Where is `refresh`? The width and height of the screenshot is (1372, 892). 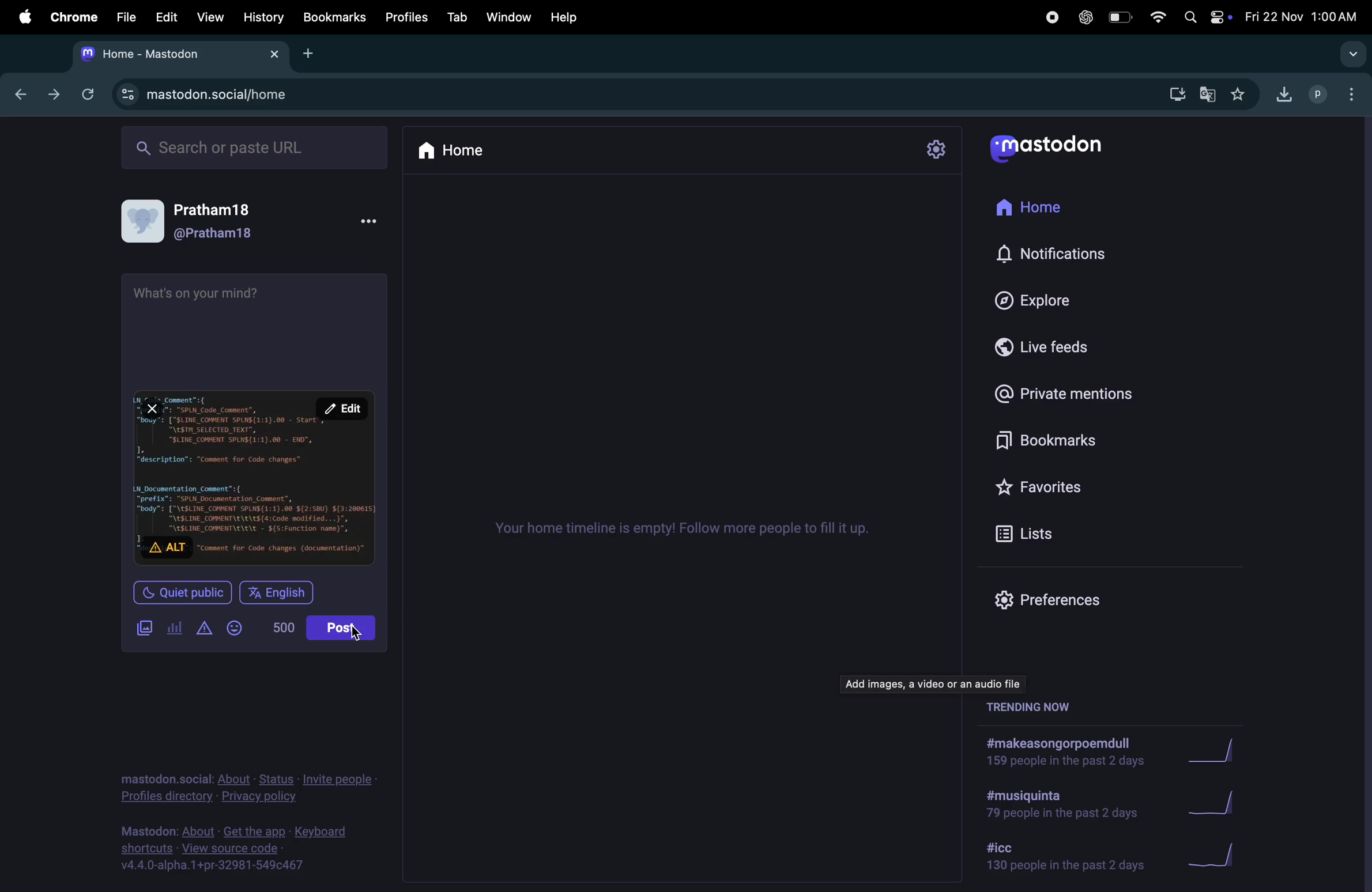 refresh is located at coordinates (88, 93).